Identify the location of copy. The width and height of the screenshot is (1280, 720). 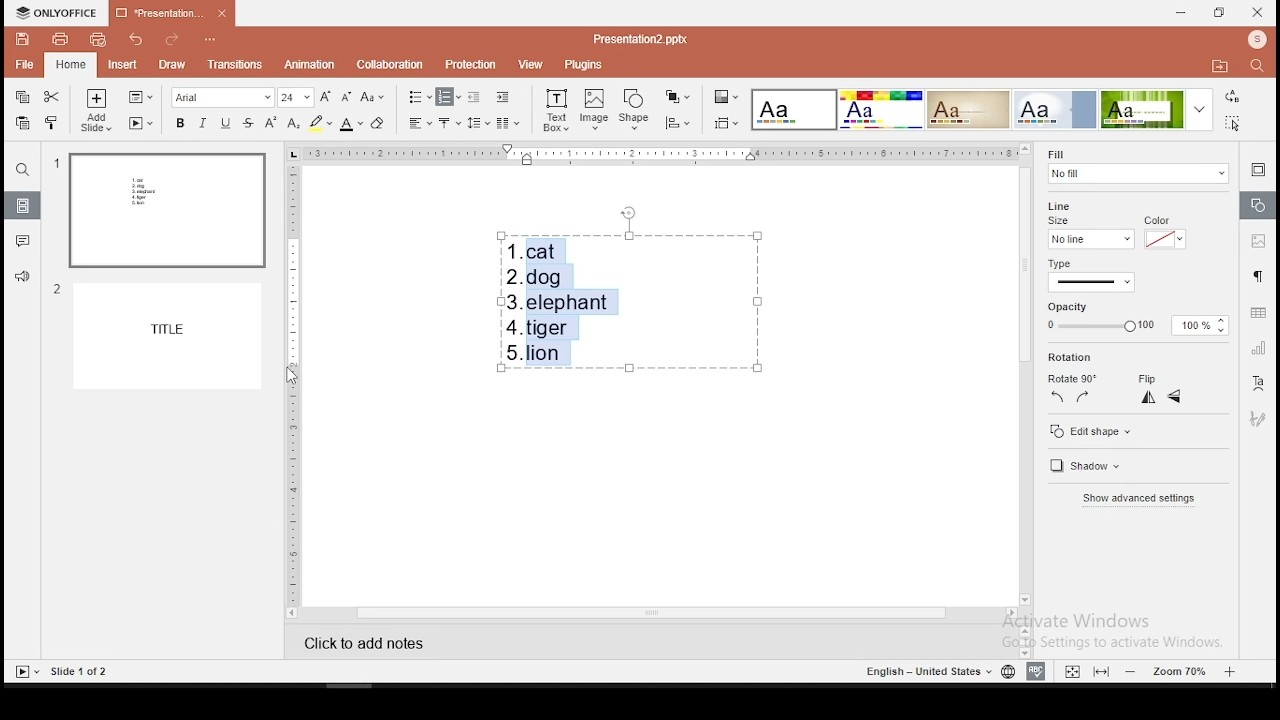
(23, 96).